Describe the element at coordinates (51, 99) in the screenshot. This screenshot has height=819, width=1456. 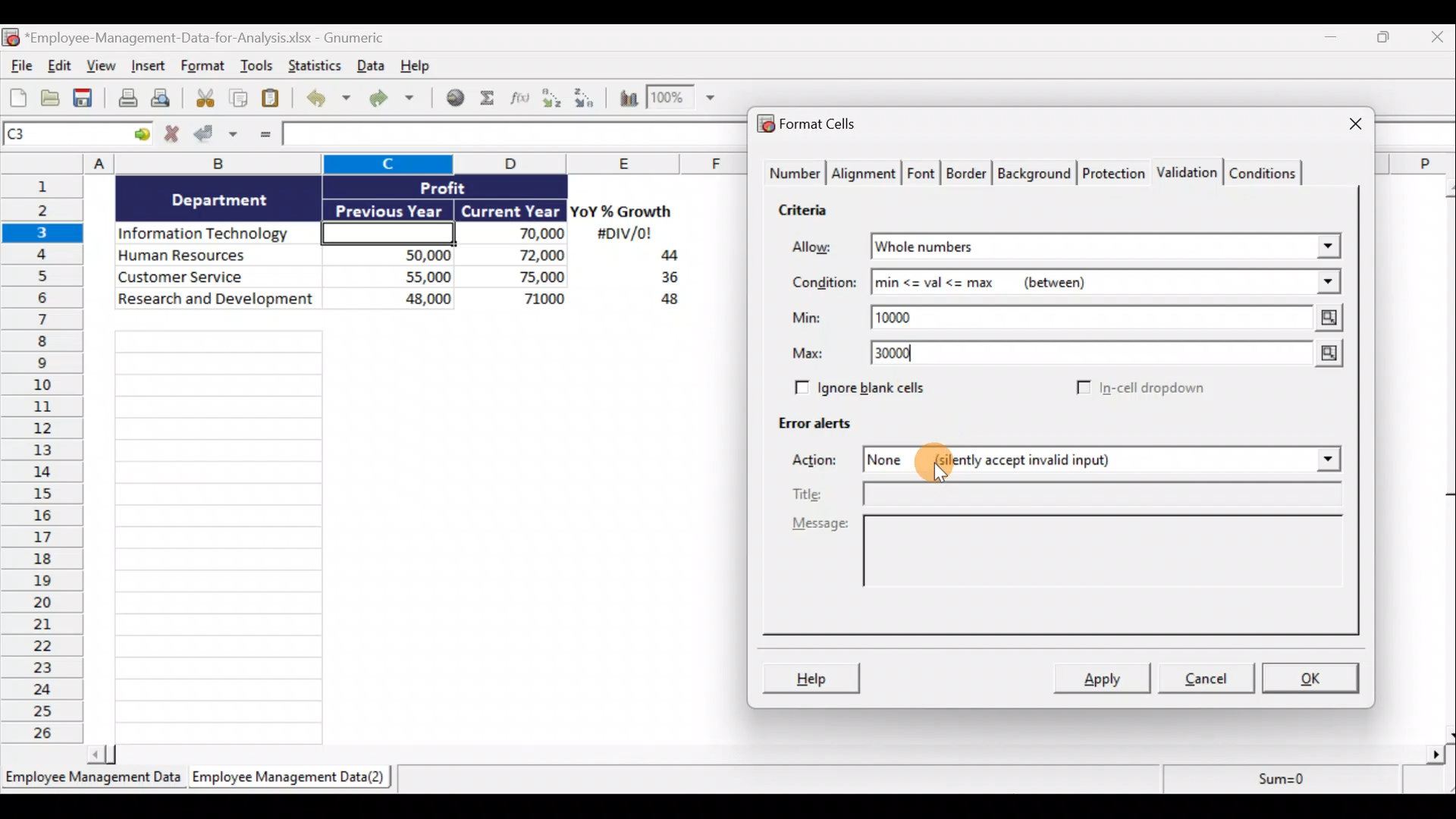
I see `Open a file` at that location.